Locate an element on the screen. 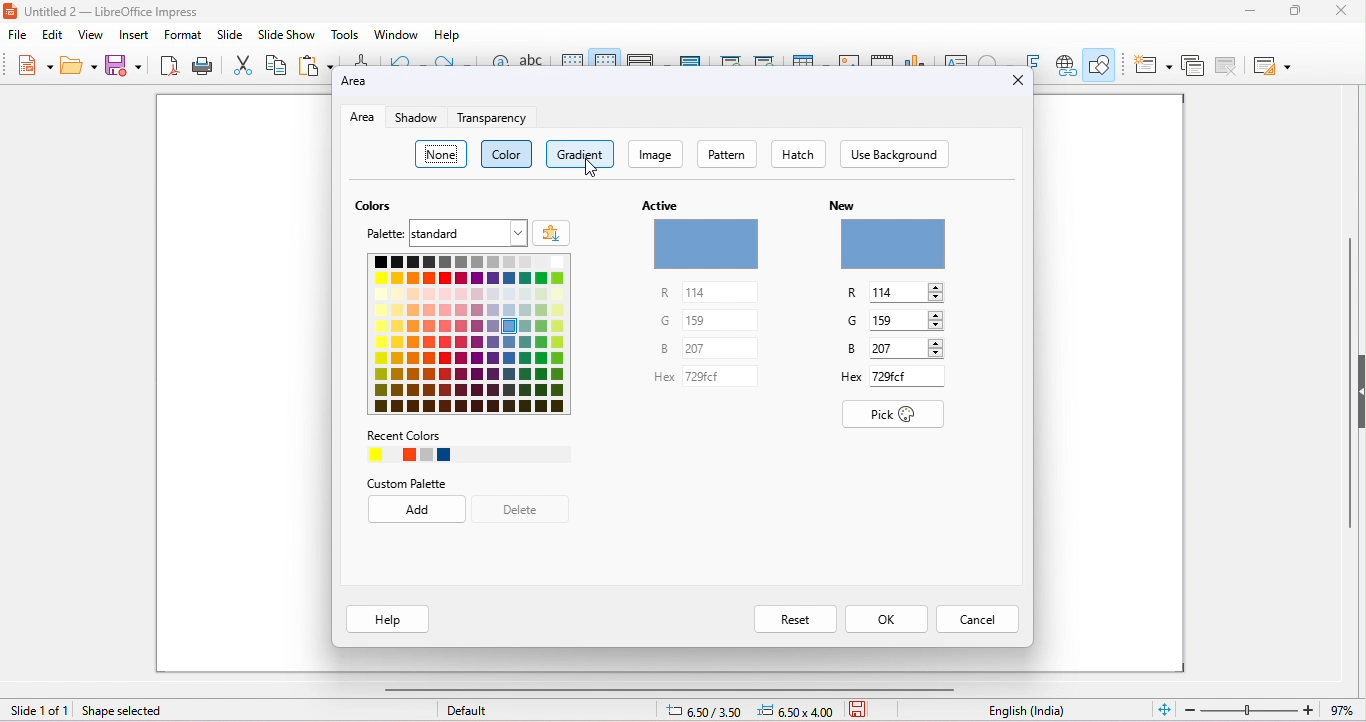  maximize is located at coordinates (1298, 11).